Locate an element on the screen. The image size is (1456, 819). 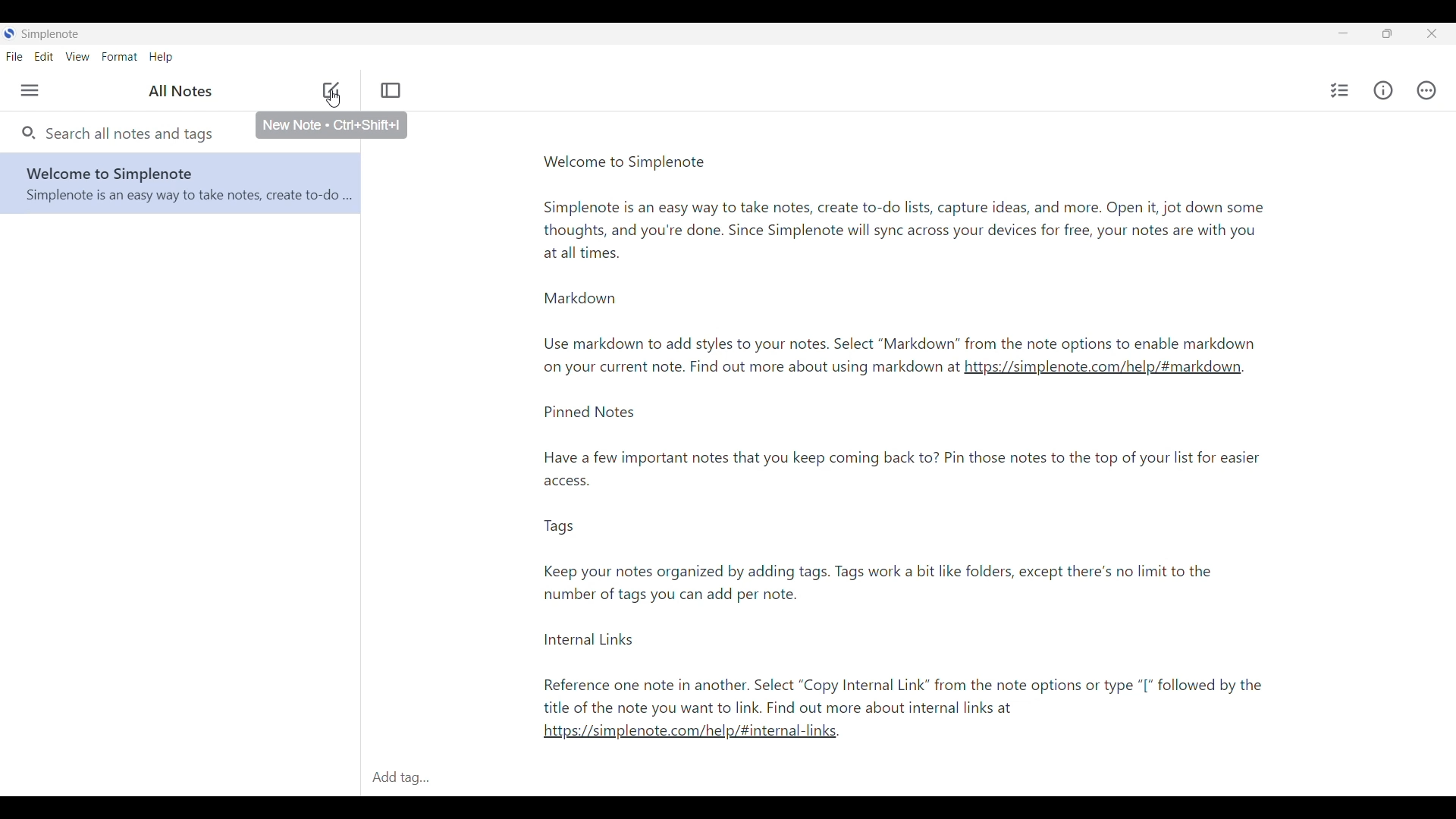
Info is located at coordinates (1383, 90).